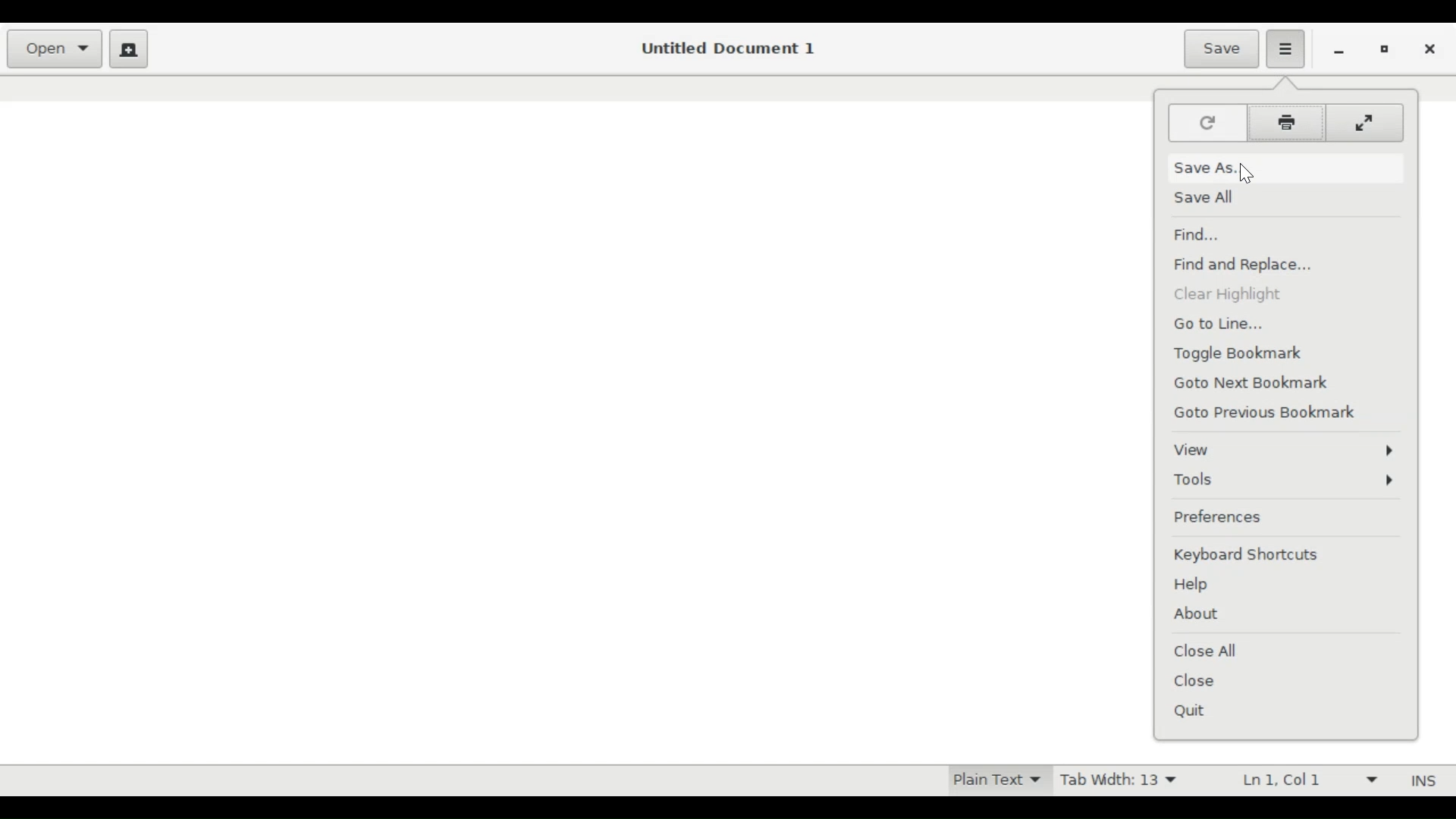  Describe the element at coordinates (1257, 264) in the screenshot. I see `Find and Replace` at that location.